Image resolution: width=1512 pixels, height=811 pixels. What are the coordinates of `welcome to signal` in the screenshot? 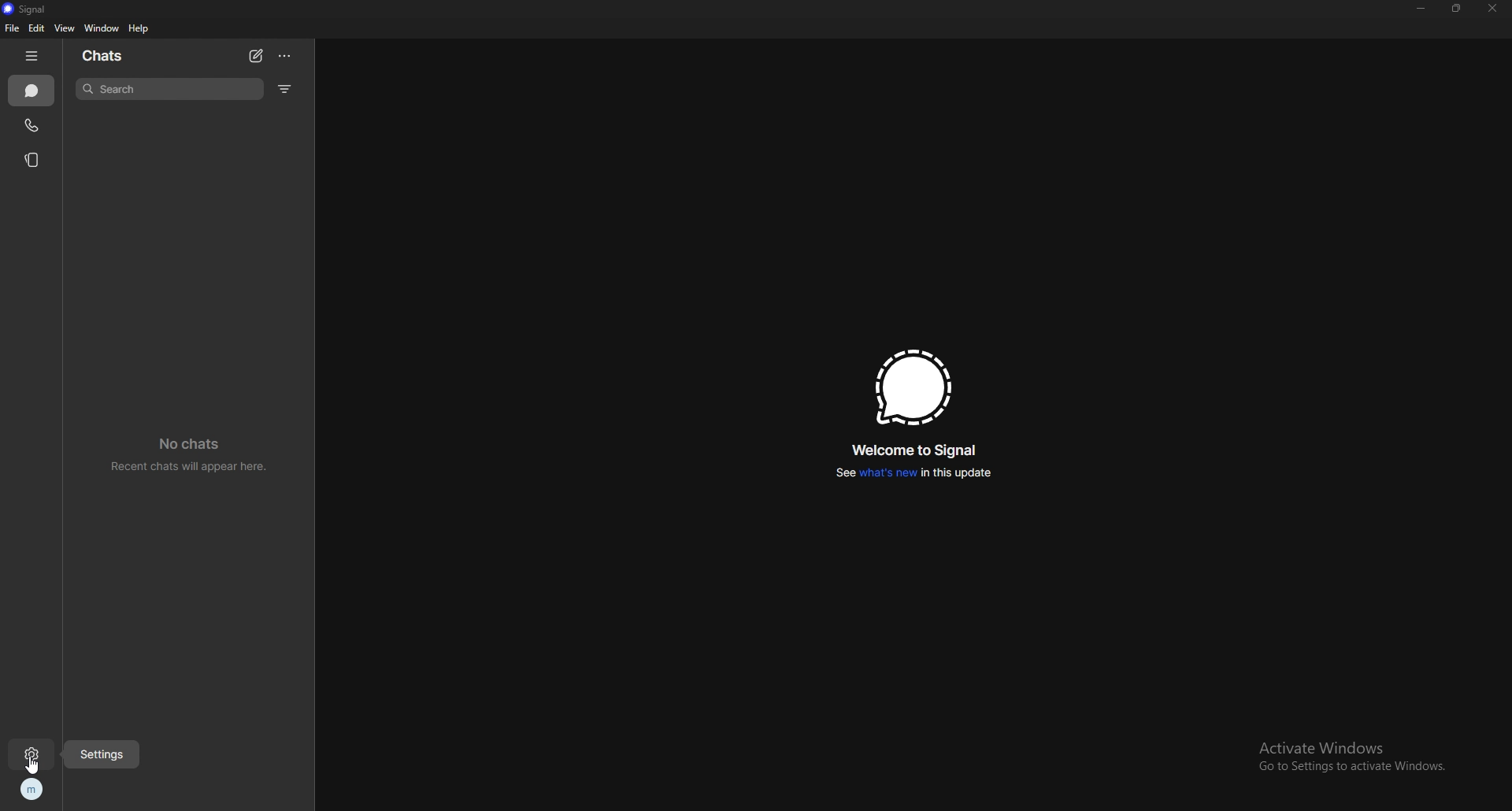 It's located at (917, 450).